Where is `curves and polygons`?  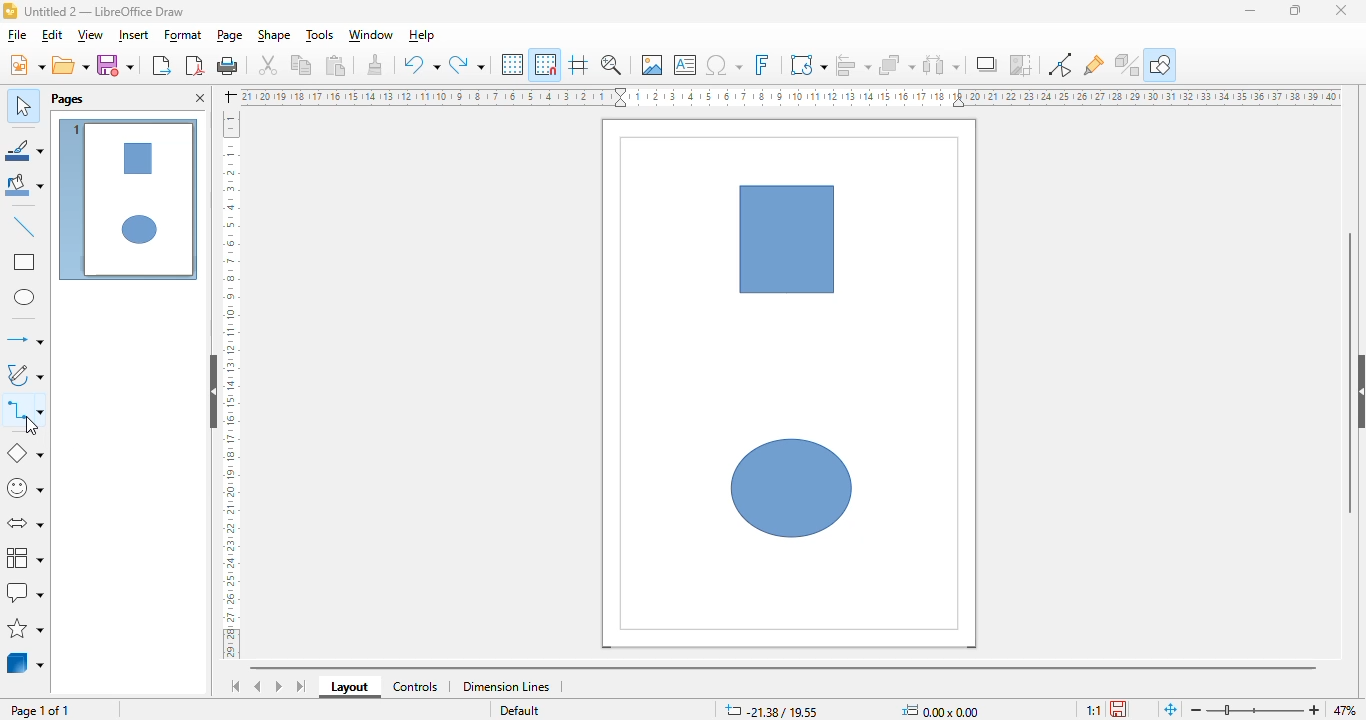 curves and polygons is located at coordinates (26, 376).